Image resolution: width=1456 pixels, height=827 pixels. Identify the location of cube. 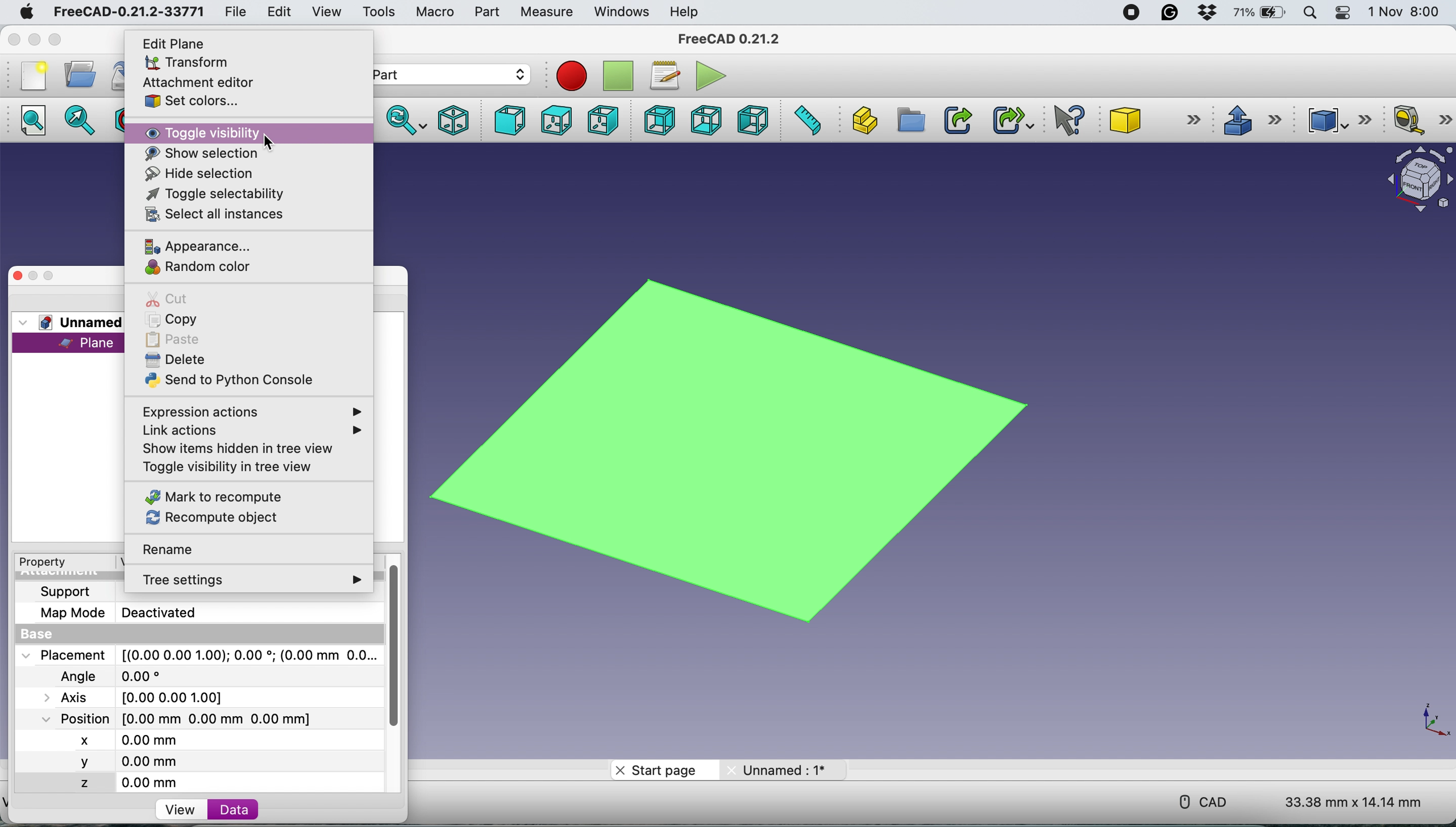
(1154, 122).